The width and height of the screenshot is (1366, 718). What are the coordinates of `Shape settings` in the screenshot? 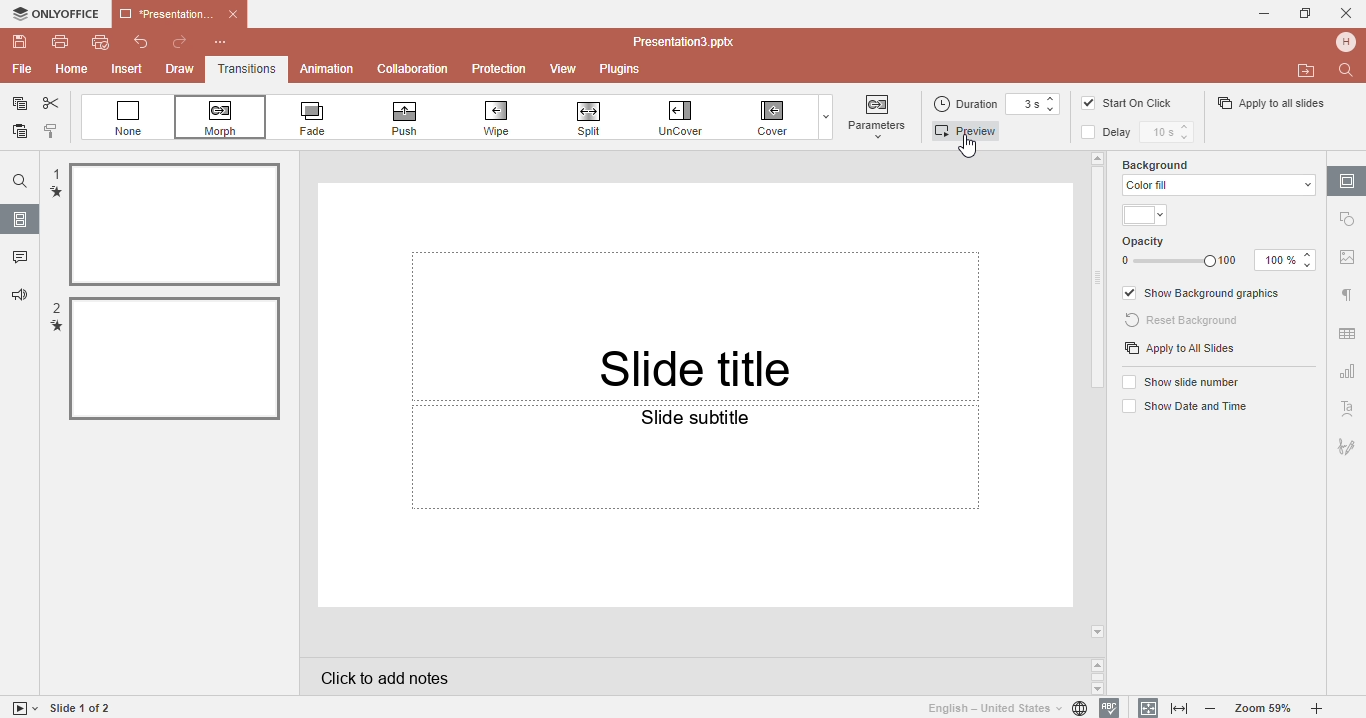 It's located at (1349, 219).